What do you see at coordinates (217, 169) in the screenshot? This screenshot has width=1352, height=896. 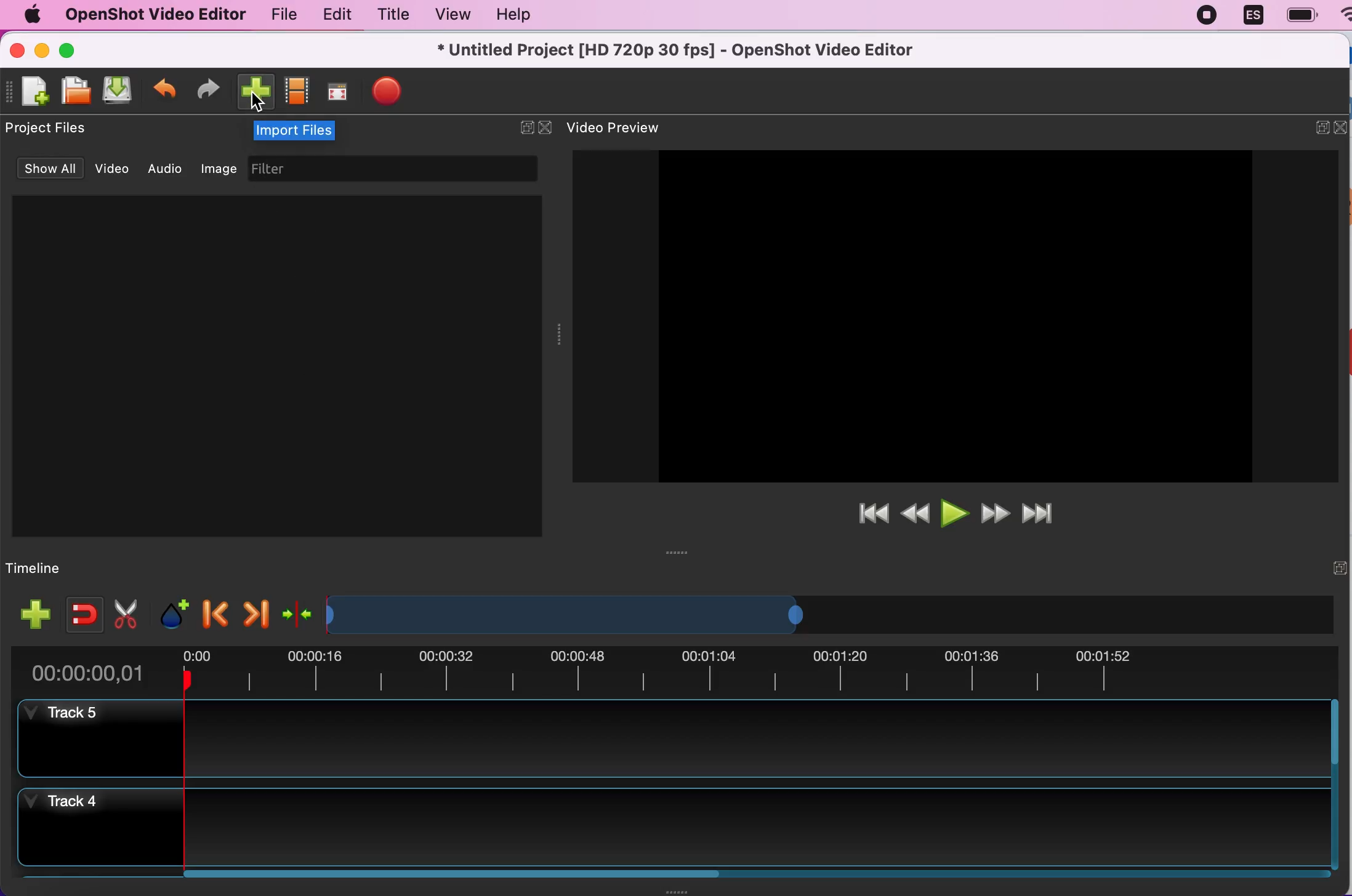 I see `image` at bounding box center [217, 169].